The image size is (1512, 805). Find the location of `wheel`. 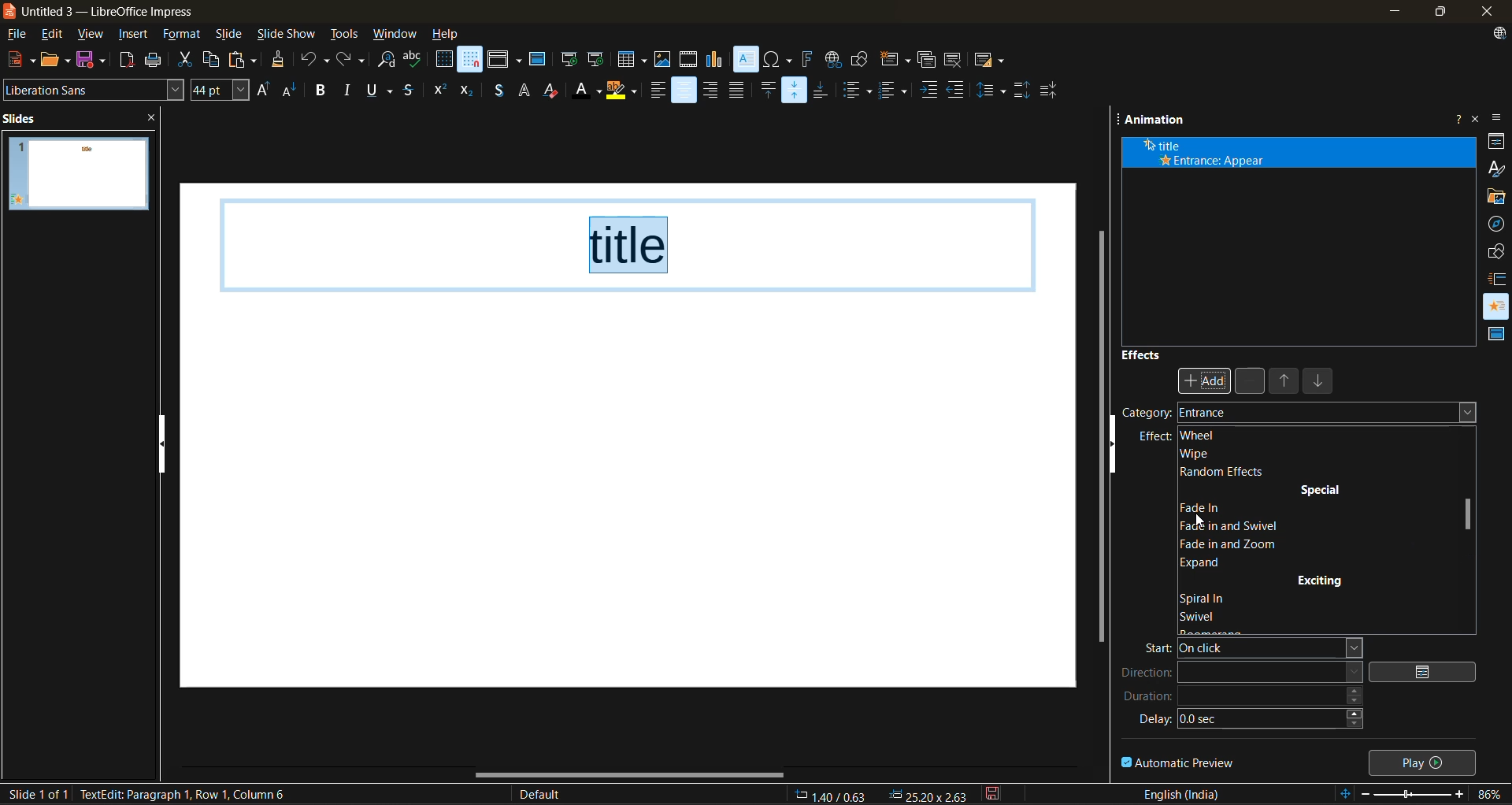

wheel is located at coordinates (1199, 436).